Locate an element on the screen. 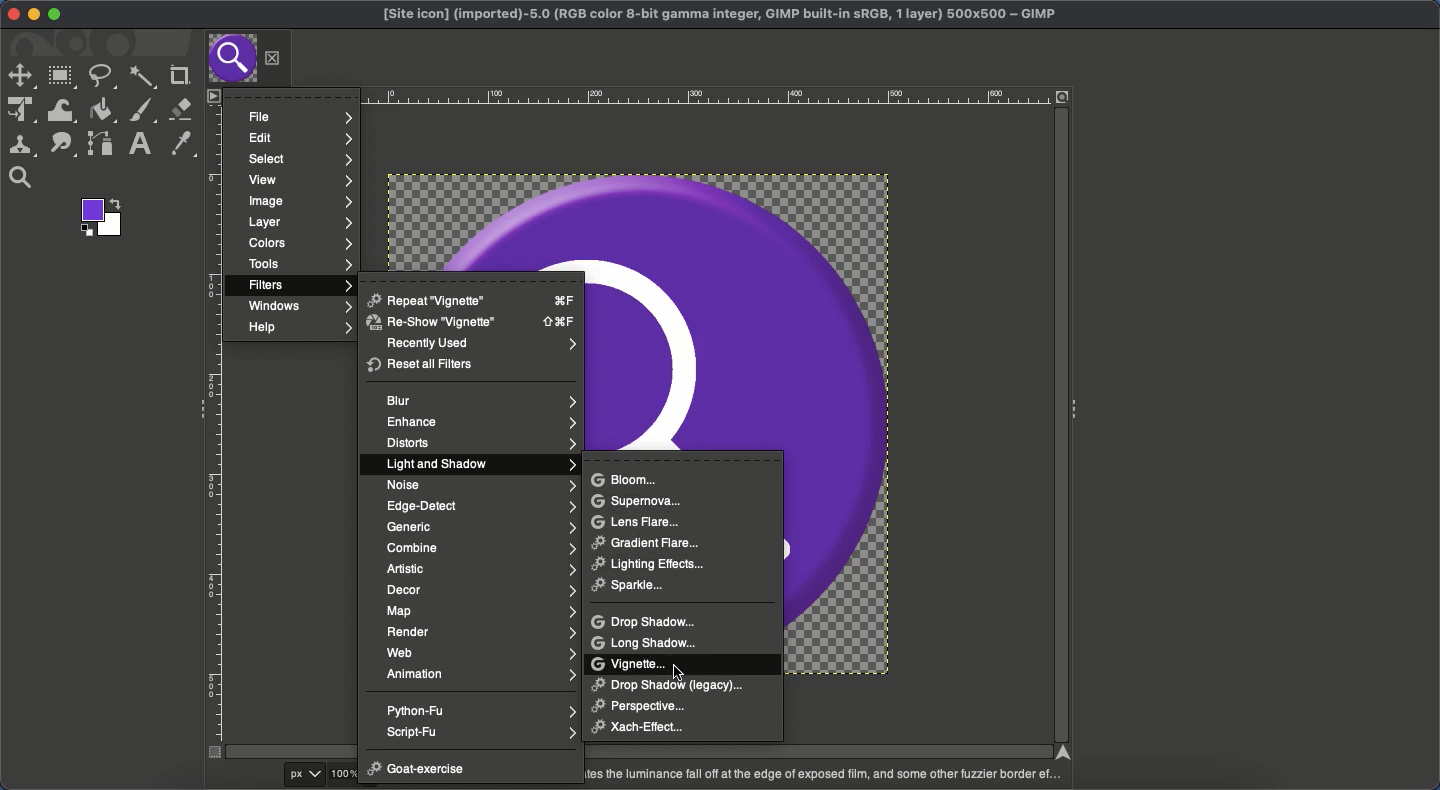 Image resolution: width=1440 pixels, height=790 pixels. Maximize is located at coordinates (55, 15).